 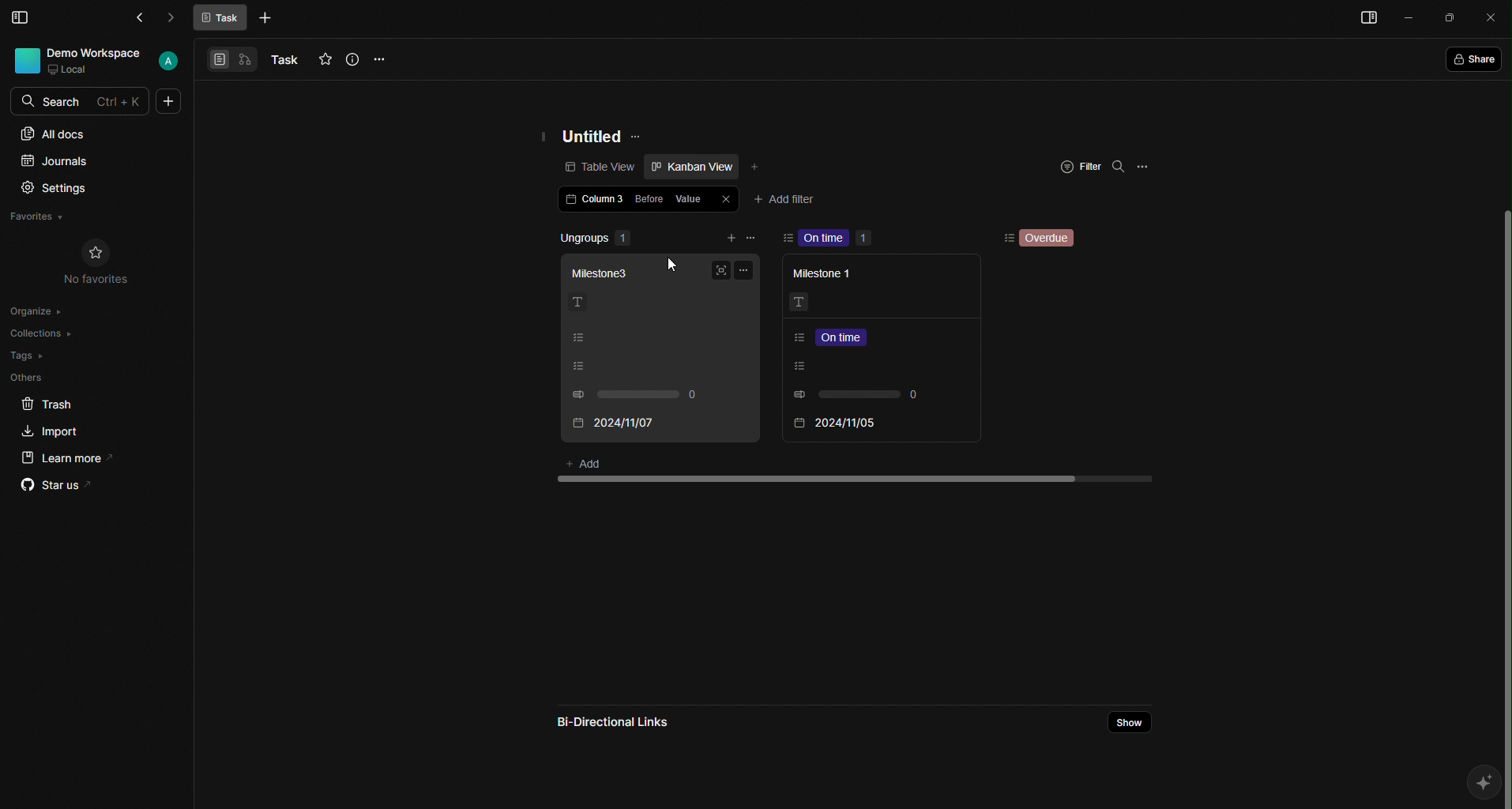 What do you see at coordinates (215, 58) in the screenshot?
I see `View 1` at bounding box center [215, 58].